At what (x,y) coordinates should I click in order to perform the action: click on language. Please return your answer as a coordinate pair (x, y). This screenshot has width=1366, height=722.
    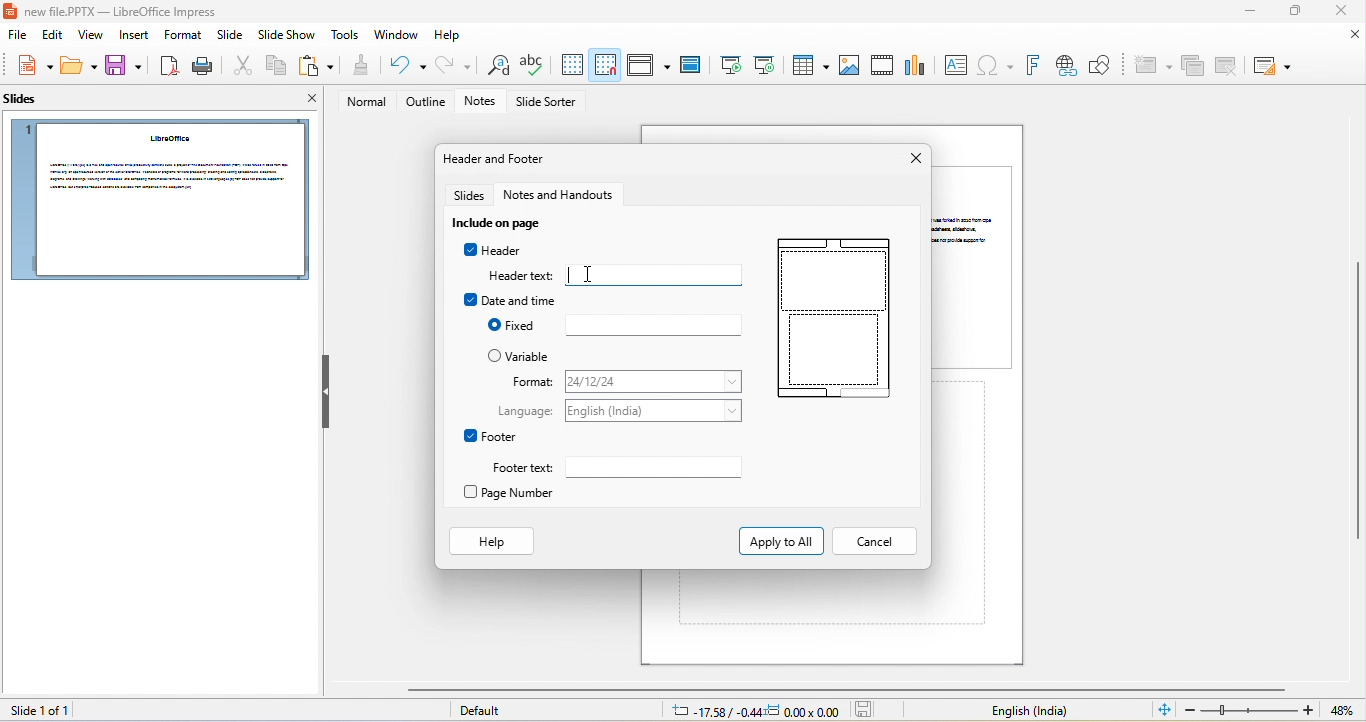
    Looking at the image, I should click on (656, 411).